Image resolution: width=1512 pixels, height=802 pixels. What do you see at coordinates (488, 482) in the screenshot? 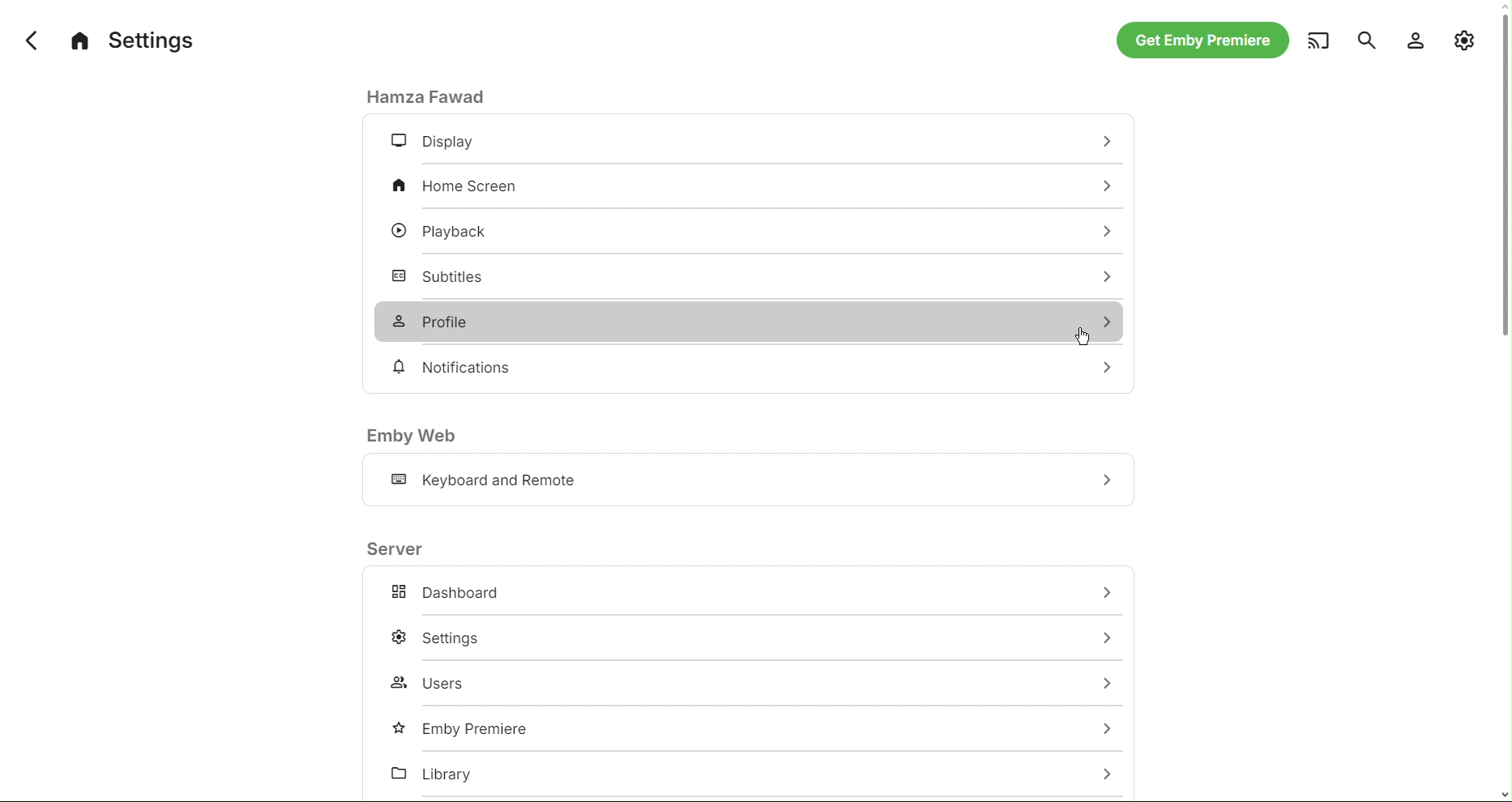
I see `Keyboard and Remote` at bounding box center [488, 482].